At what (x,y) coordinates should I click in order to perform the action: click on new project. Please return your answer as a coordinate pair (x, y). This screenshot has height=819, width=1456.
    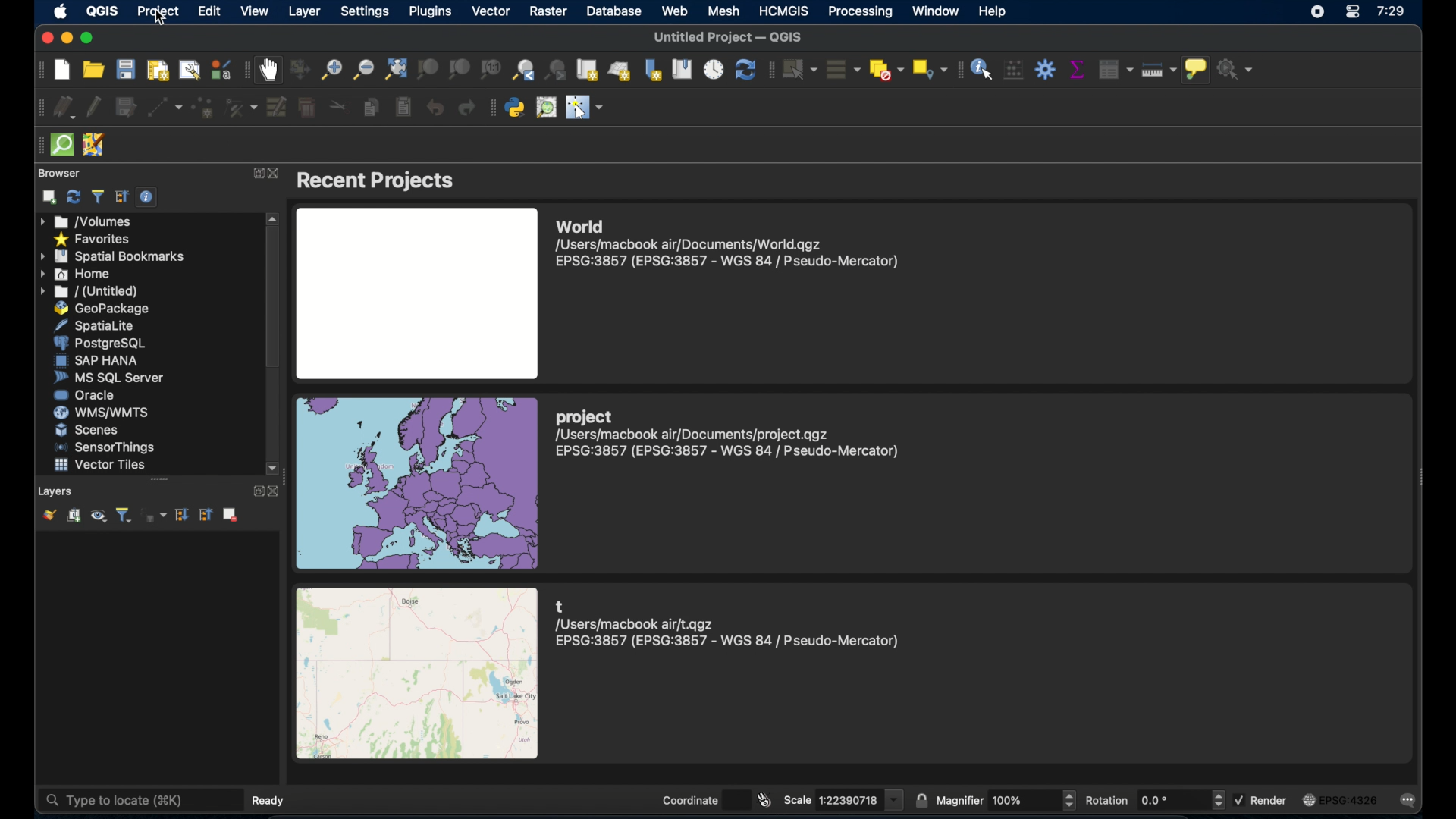
    Looking at the image, I should click on (61, 71).